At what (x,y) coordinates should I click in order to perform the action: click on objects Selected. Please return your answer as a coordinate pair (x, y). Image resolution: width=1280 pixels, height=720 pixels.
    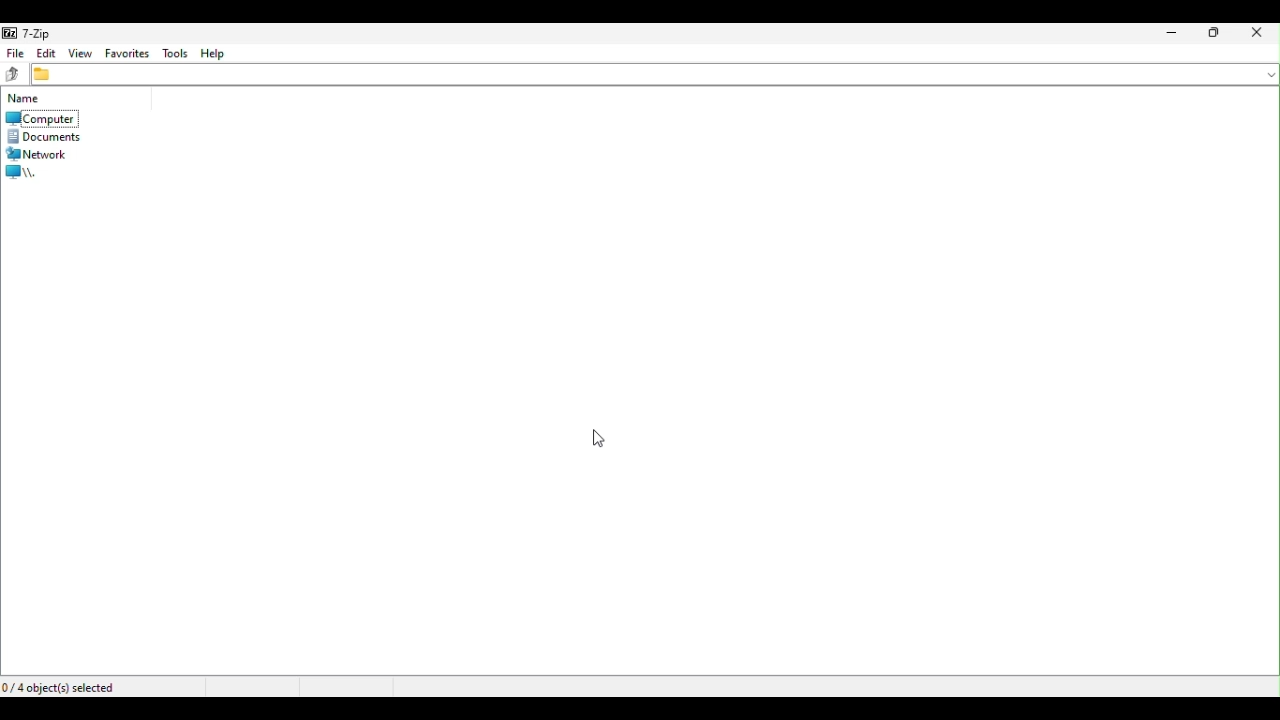
    Looking at the image, I should click on (71, 684).